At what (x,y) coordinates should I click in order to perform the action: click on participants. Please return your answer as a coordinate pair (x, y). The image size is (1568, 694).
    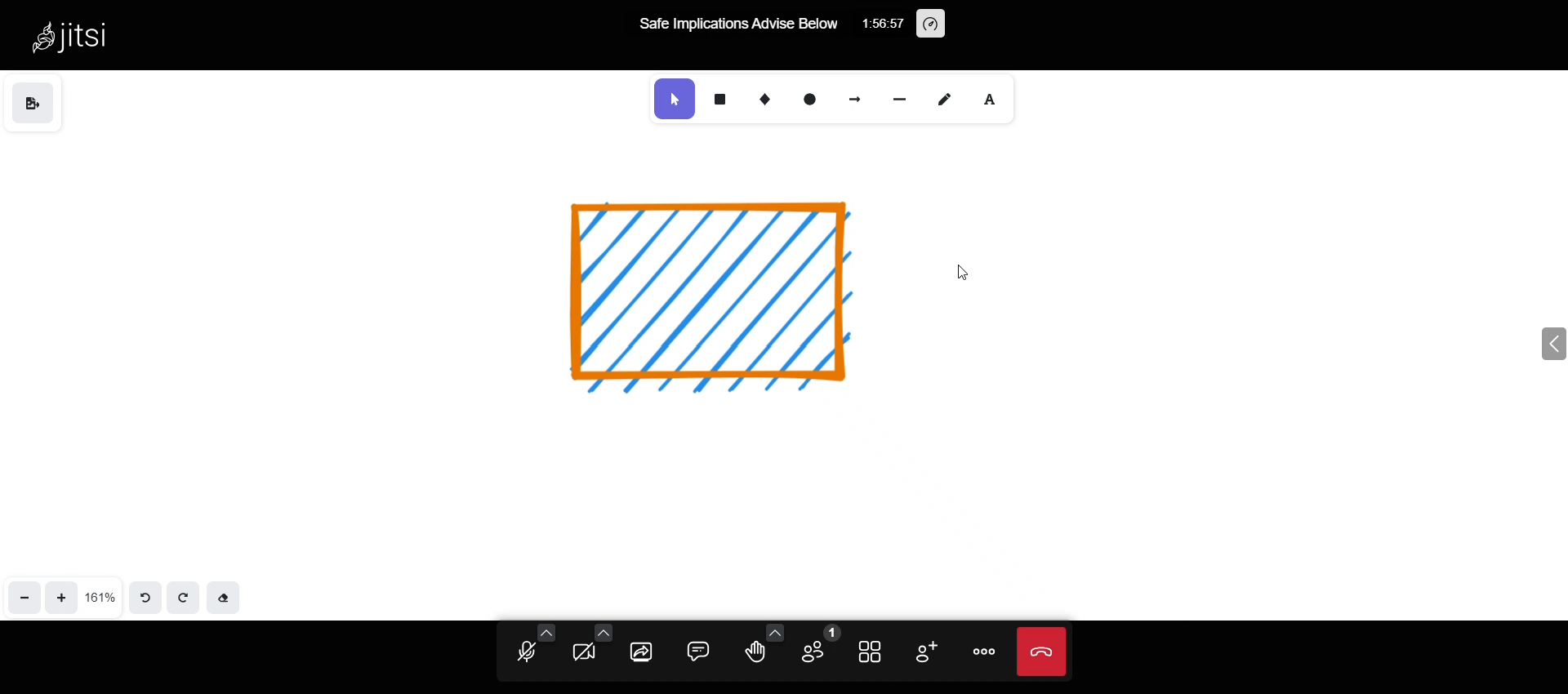
    Looking at the image, I should click on (817, 645).